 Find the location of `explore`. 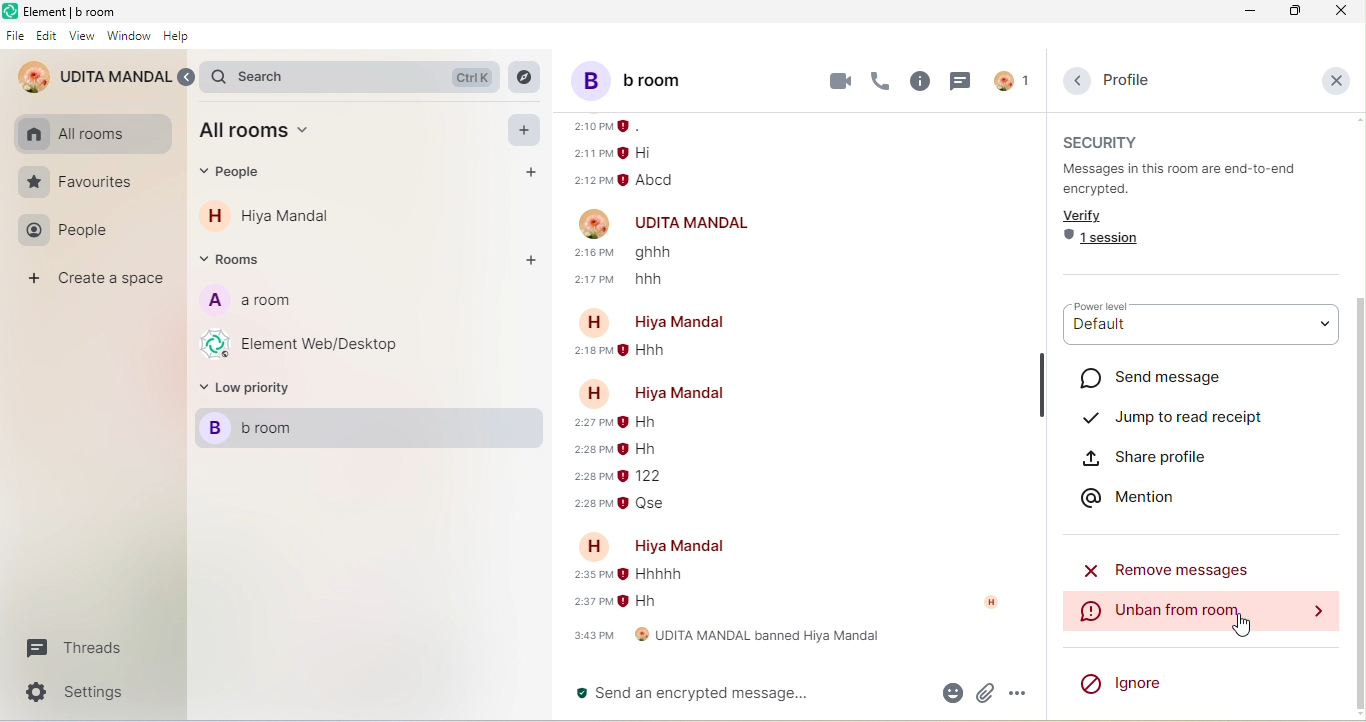

explore is located at coordinates (525, 78).